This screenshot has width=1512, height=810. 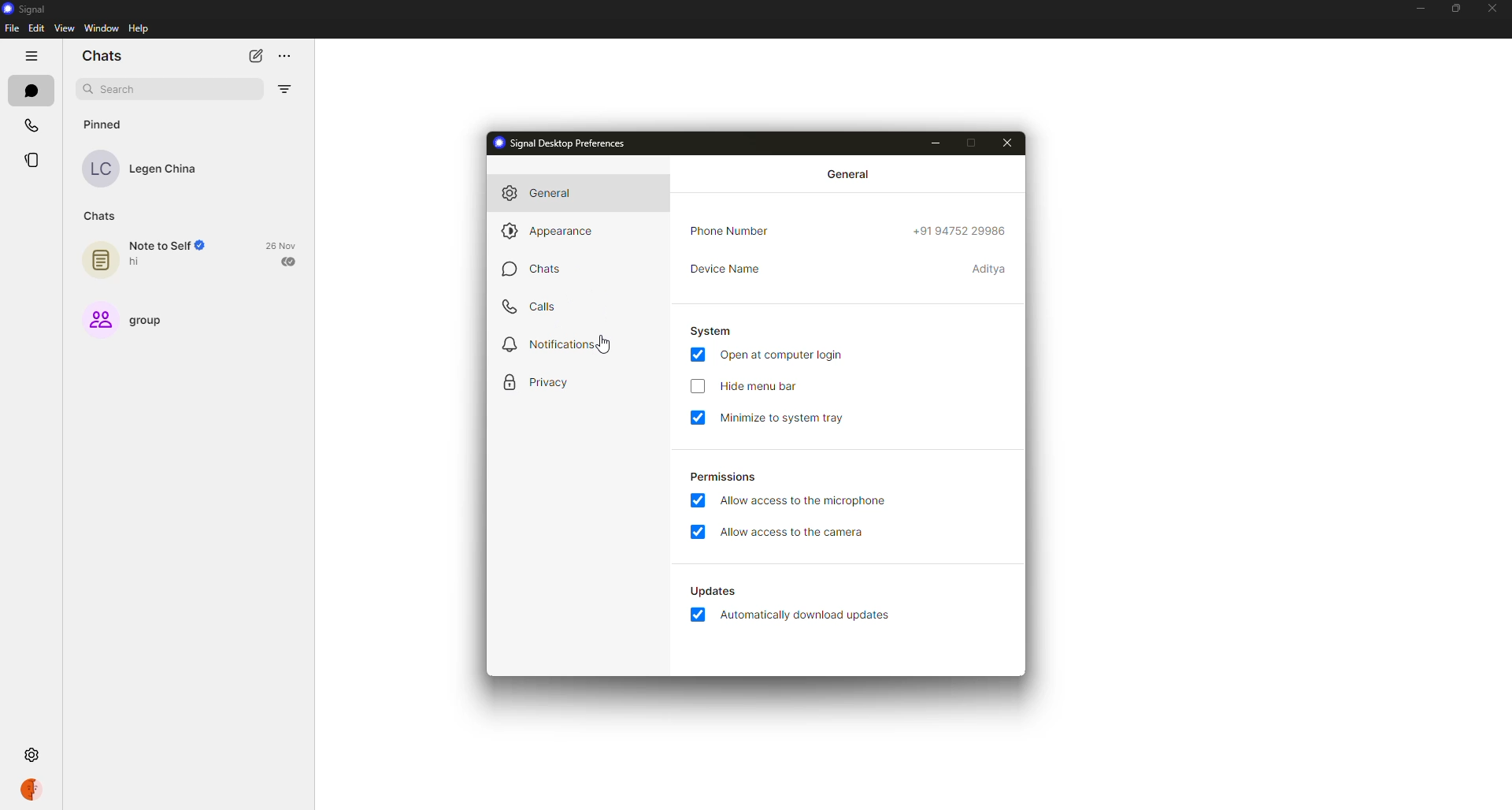 I want to click on notifications, so click(x=550, y=344).